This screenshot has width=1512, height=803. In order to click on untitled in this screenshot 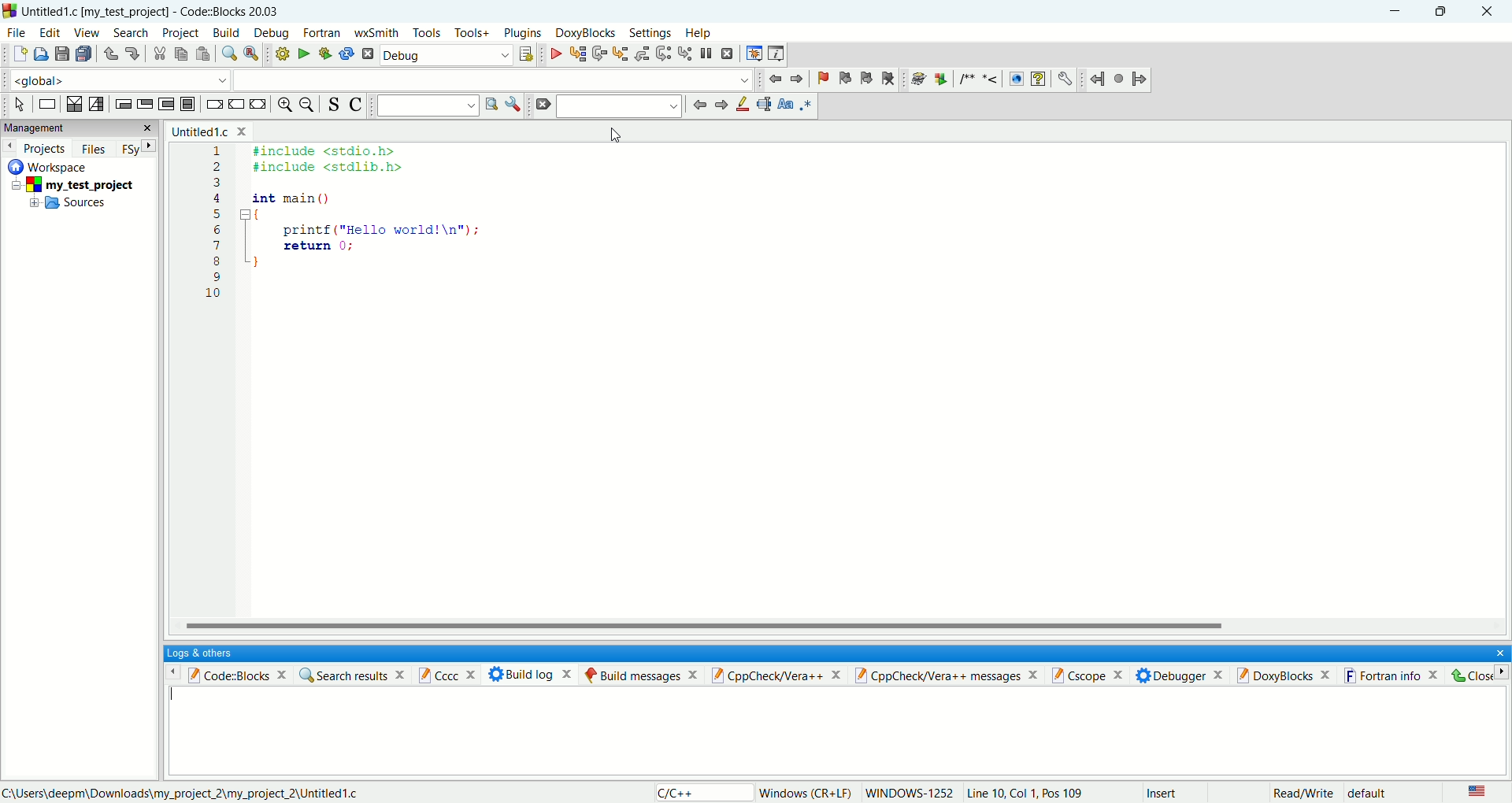, I will do `click(209, 131)`.